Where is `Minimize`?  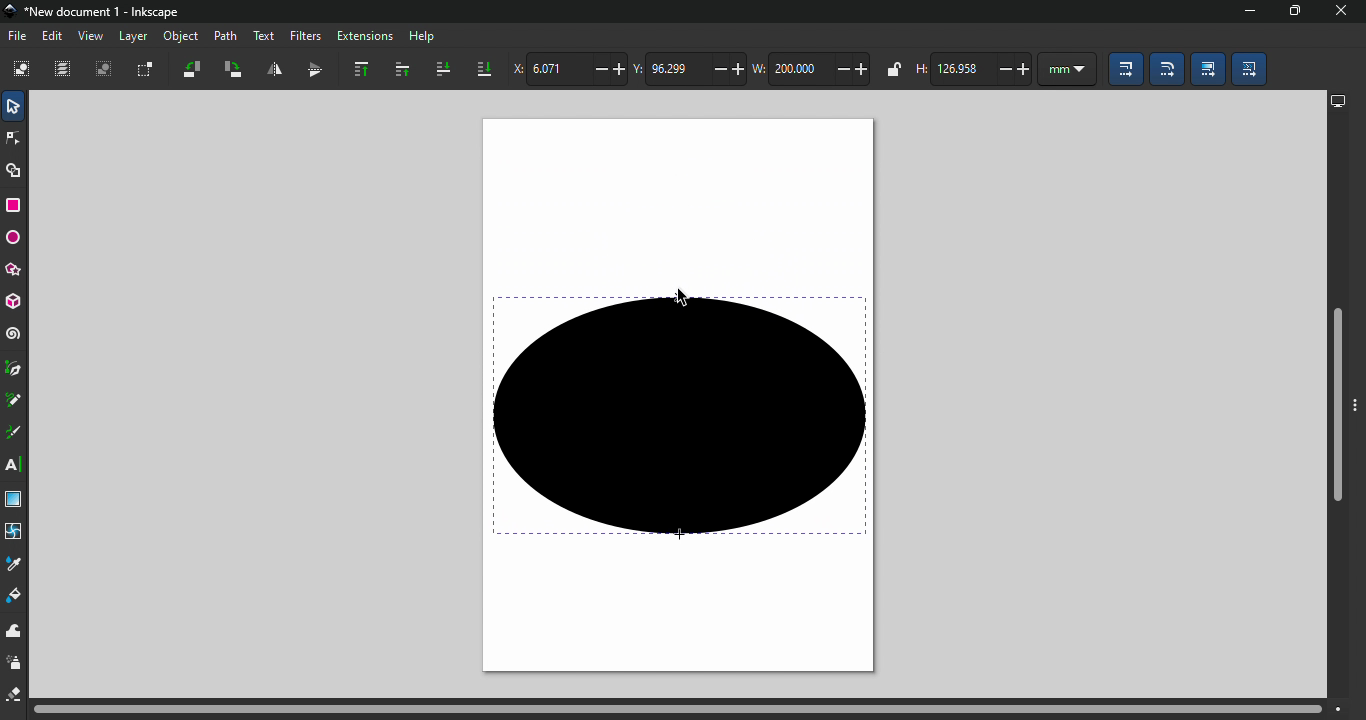
Minimize is located at coordinates (1243, 12).